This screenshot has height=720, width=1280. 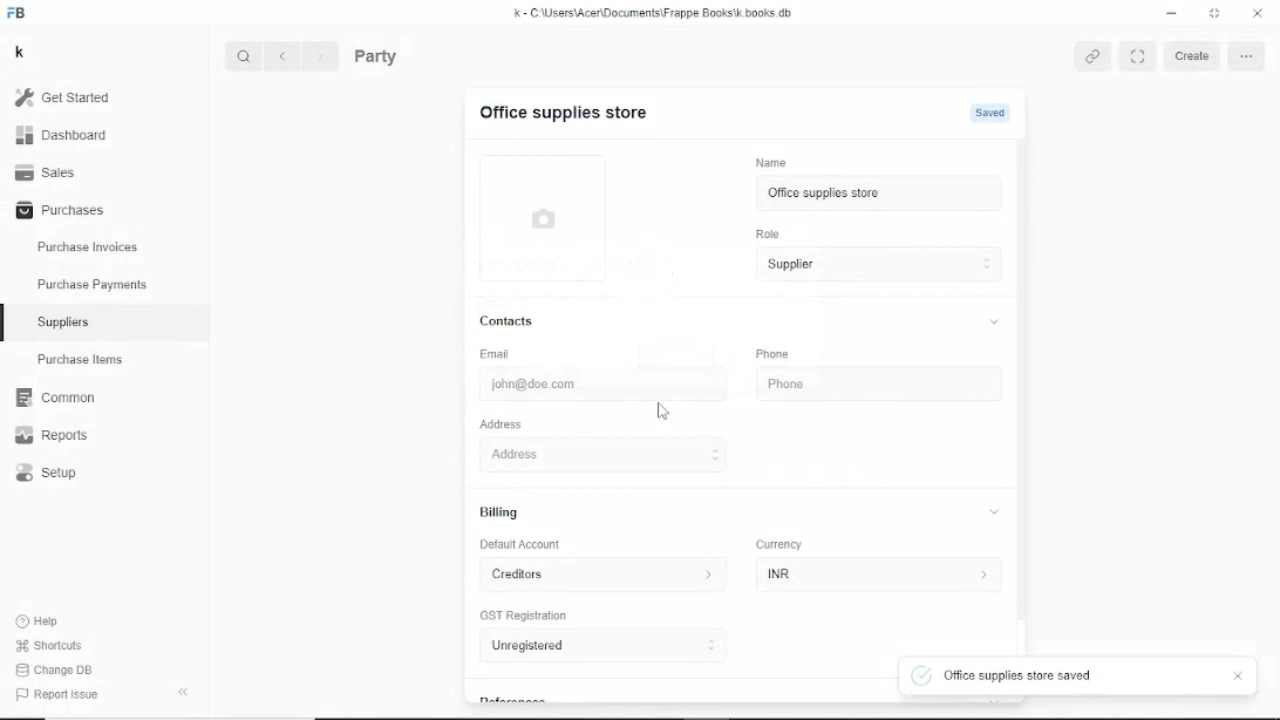 I want to click on Unregistered, so click(x=604, y=647).